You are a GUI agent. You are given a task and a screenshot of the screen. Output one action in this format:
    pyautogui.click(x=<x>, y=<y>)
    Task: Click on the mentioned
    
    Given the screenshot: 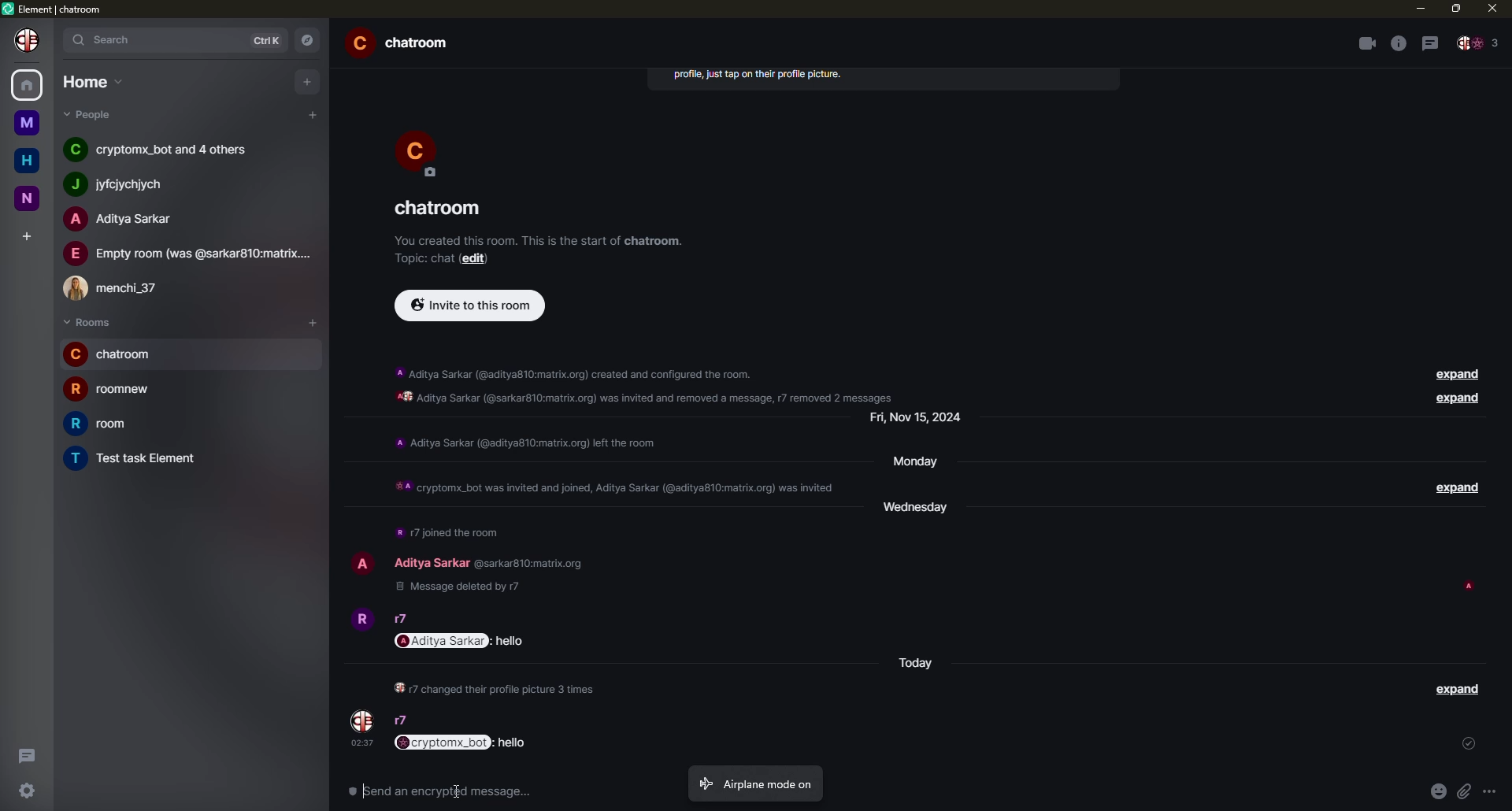 What is the action you would take?
    pyautogui.click(x=463, y=742)
    